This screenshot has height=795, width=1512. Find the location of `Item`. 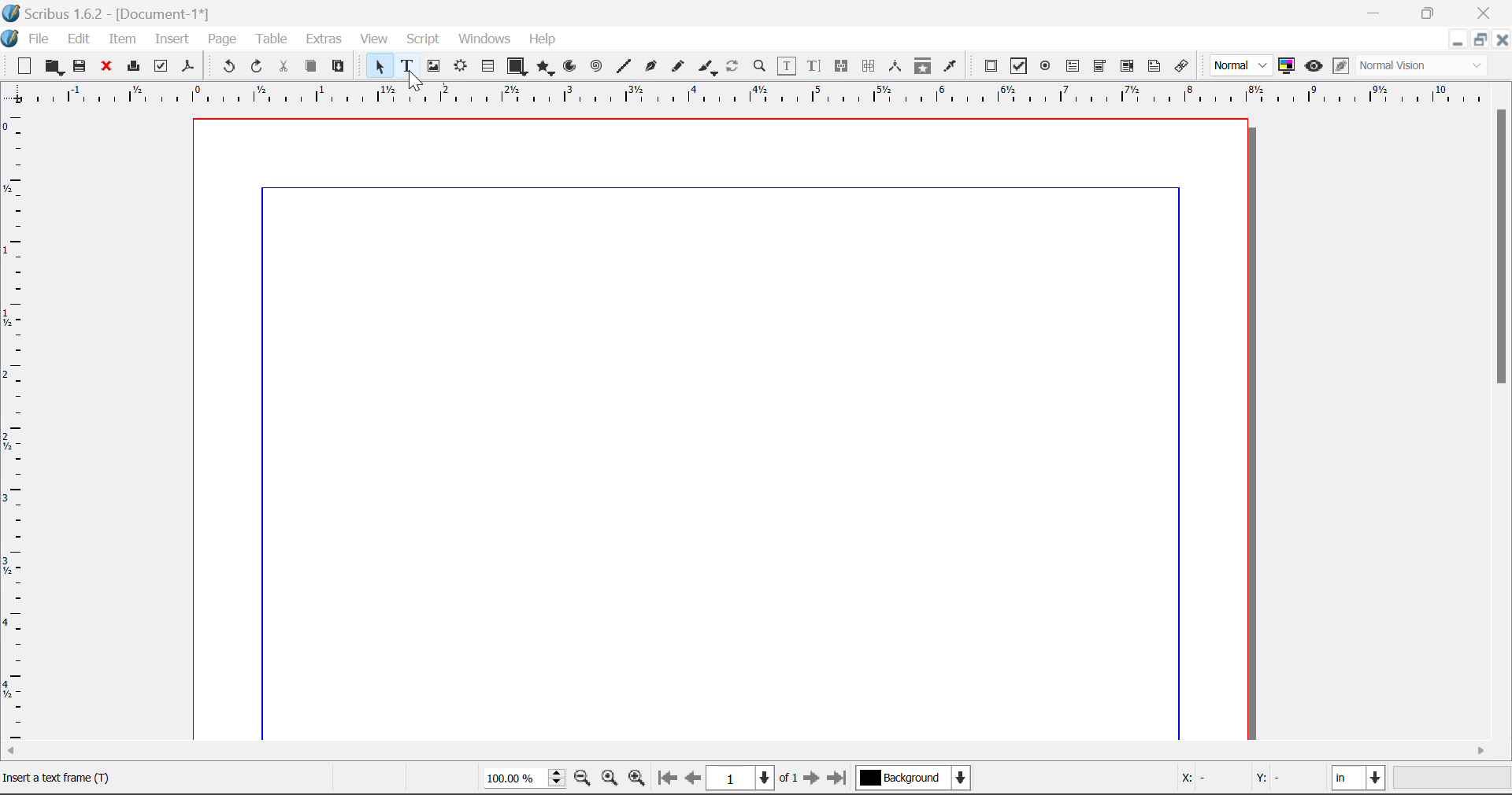

Item is located at coordinates (120, 37).